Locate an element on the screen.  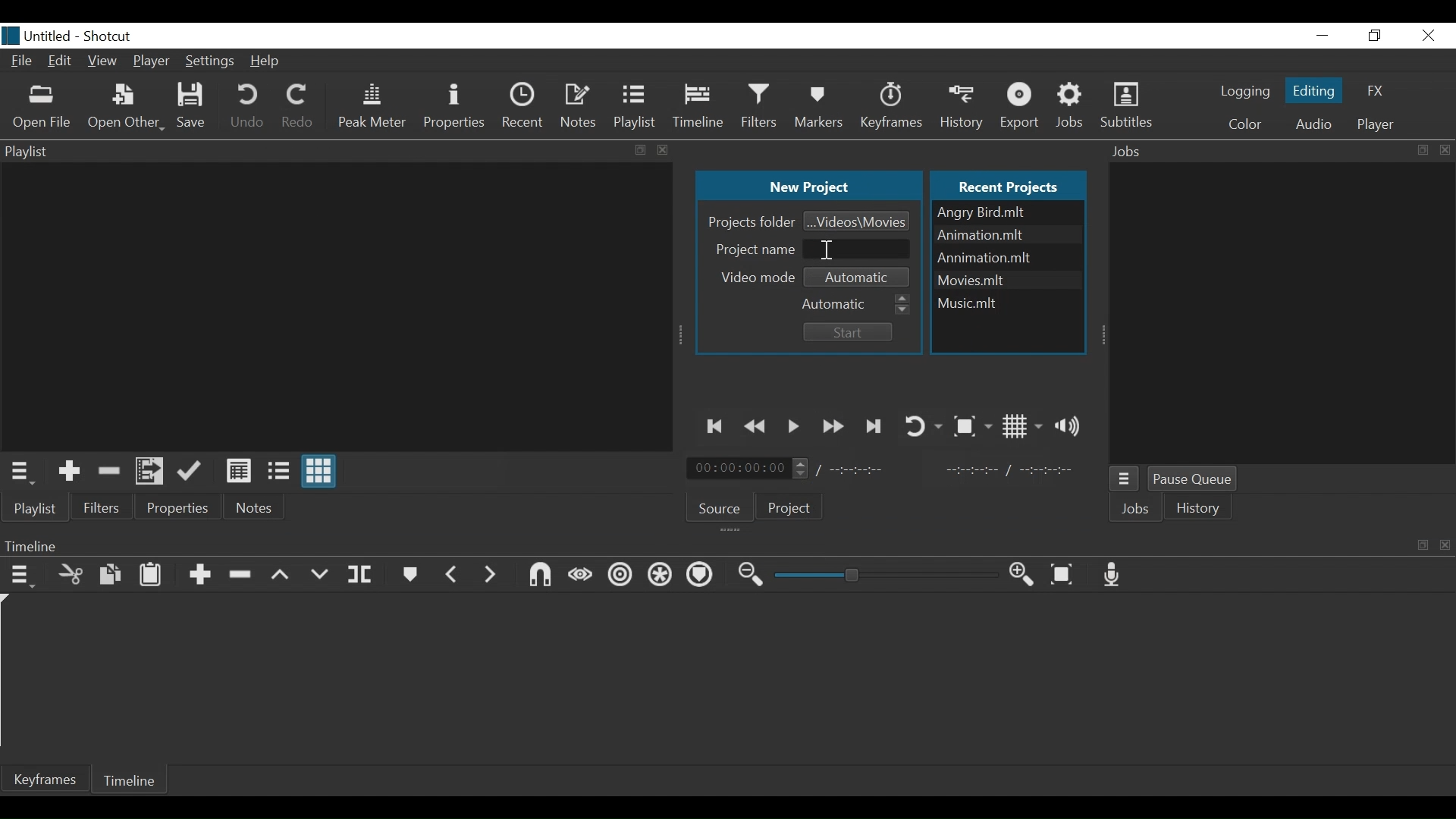
Color is located at coordinates (1245, 124).